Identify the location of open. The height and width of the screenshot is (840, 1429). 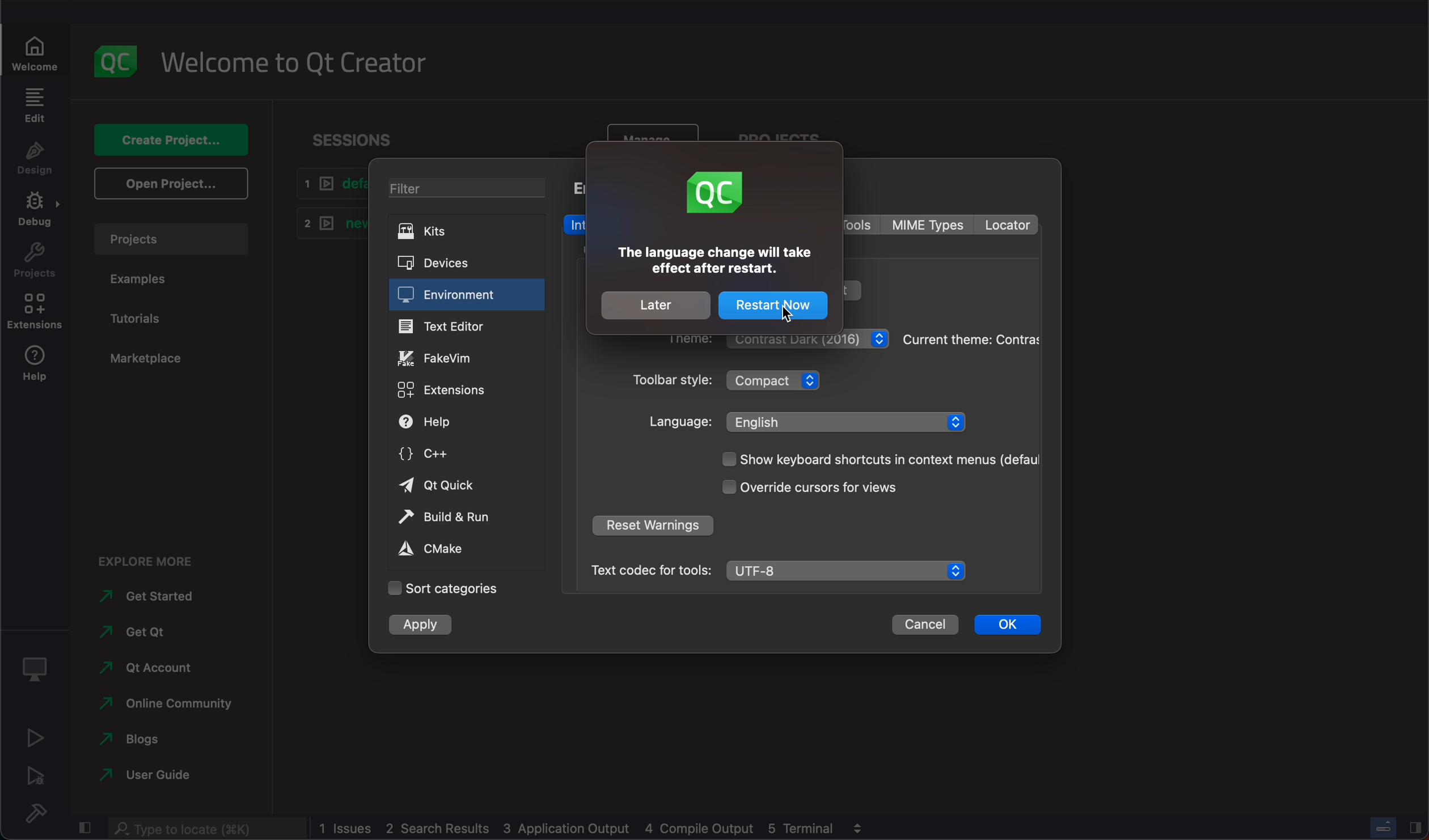
(168, 184).